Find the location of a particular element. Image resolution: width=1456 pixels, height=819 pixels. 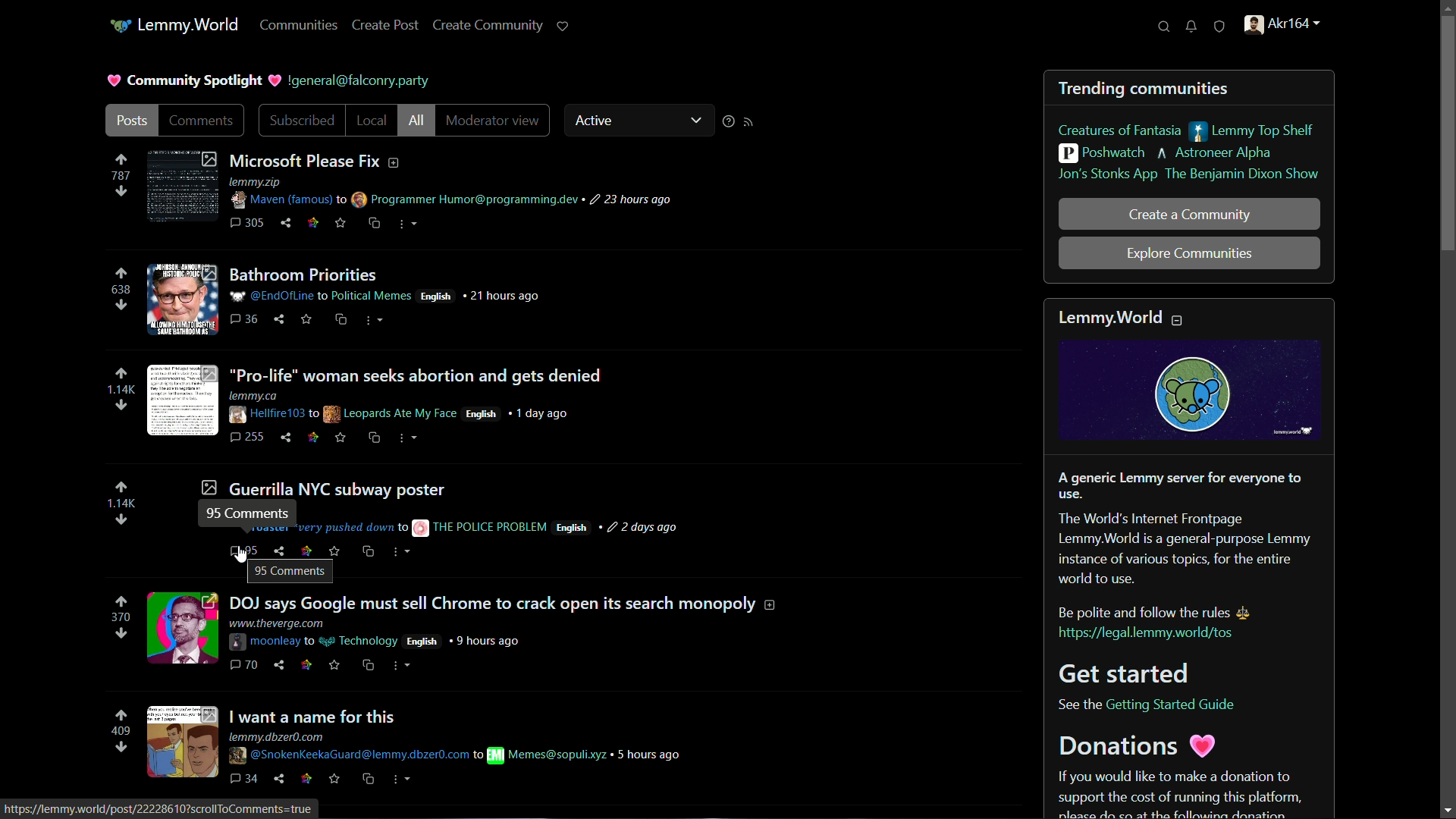

downvote is located at coordinates (121, 635).